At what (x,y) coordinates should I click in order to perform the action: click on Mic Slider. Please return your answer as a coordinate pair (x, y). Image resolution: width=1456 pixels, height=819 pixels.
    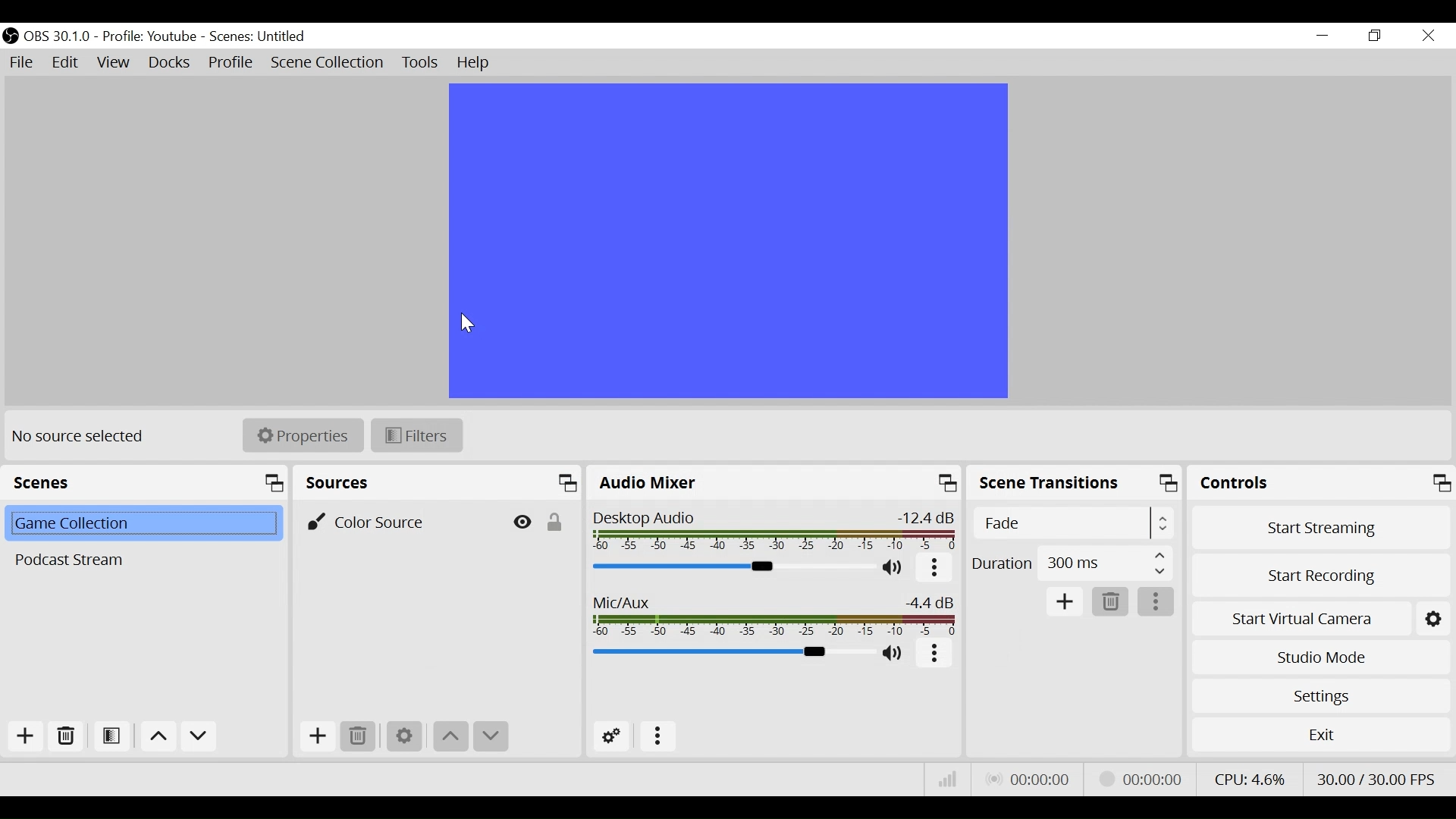
    Looking at the image, I should click on (727, 652).